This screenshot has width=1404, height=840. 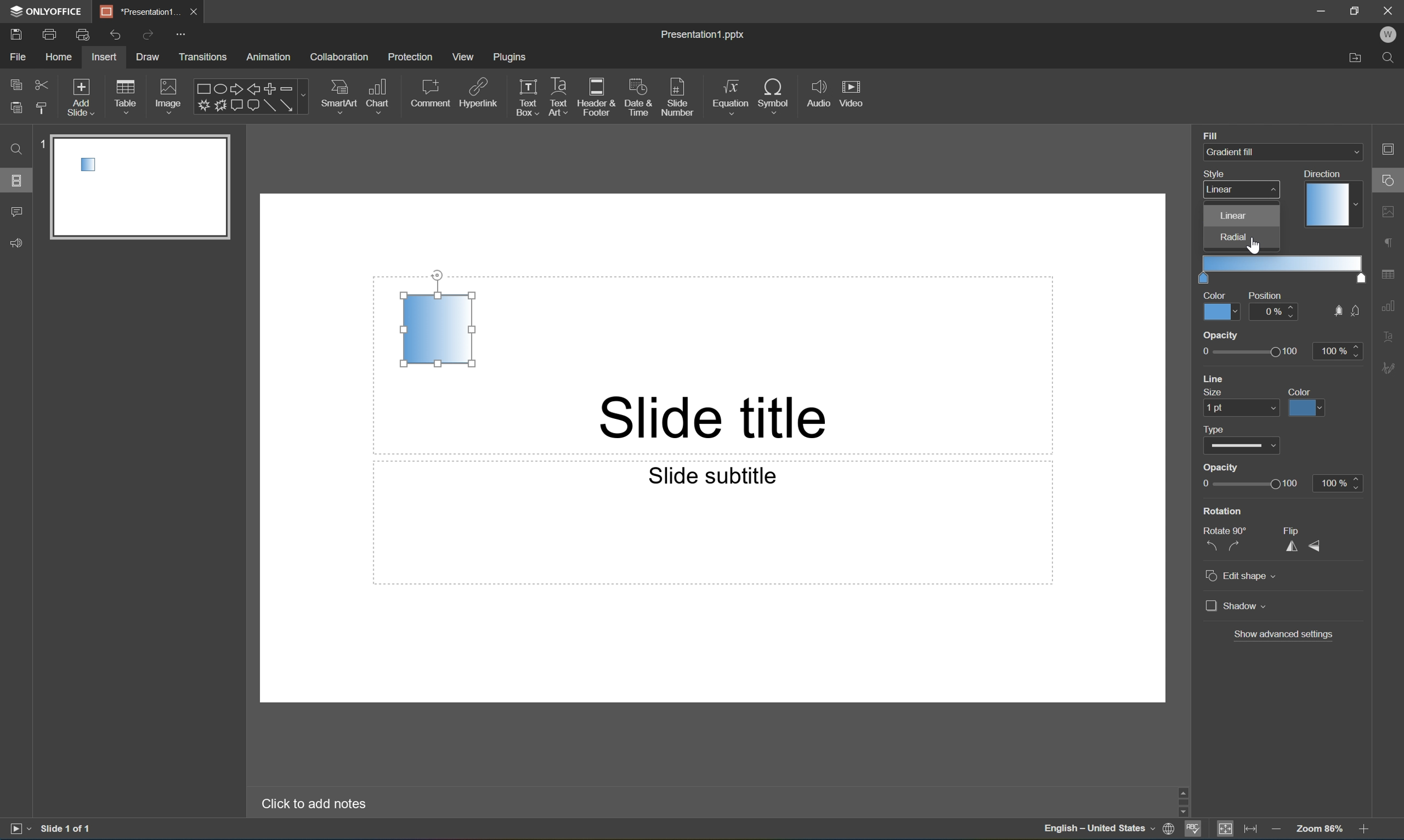 What do you see at coordinates (1391, 275) in the screenshot?
I see `Table settings` at bounding box center [1391, 275].